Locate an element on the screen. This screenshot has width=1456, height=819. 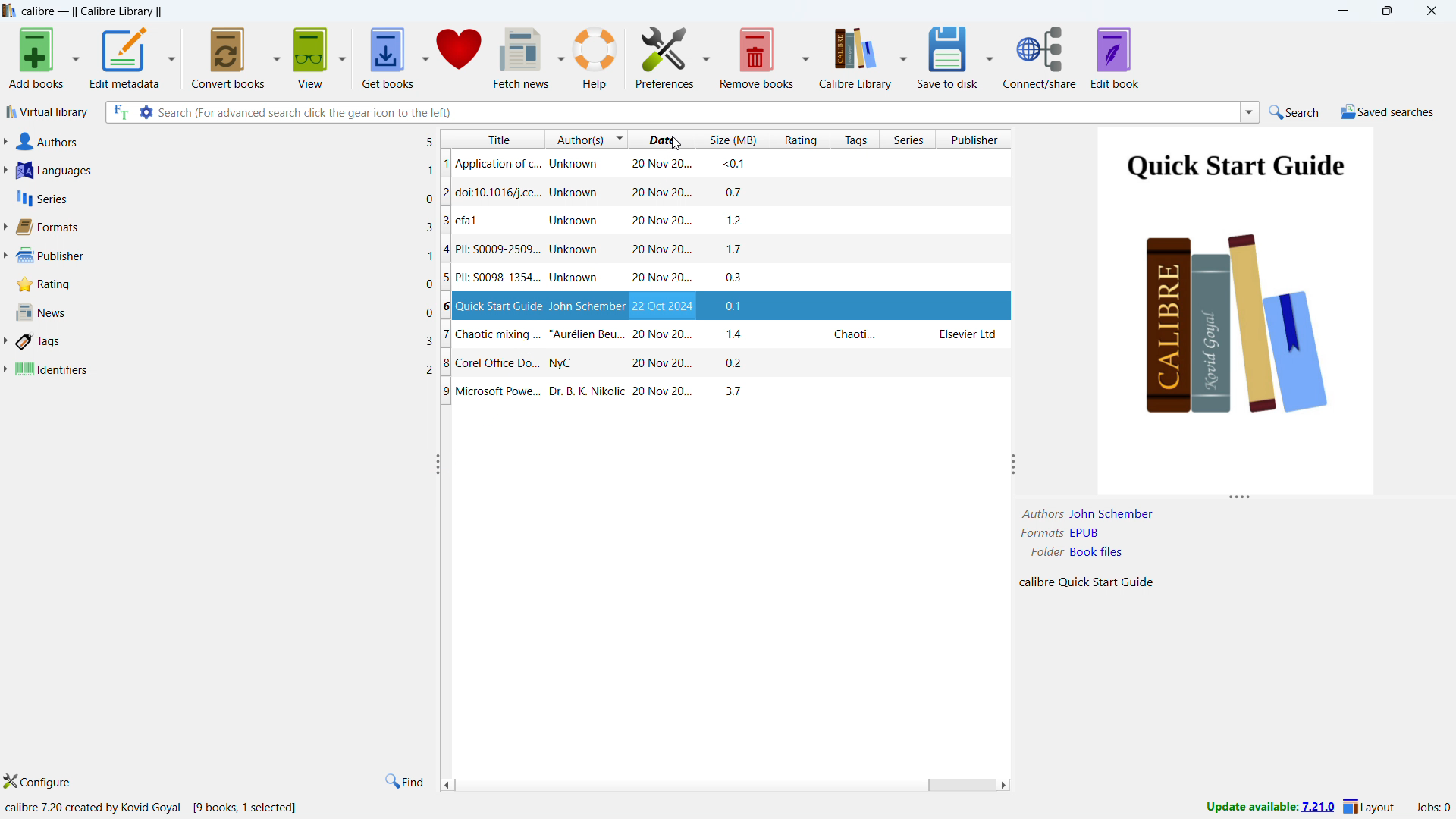
tags is located at coordinates (226, 342).